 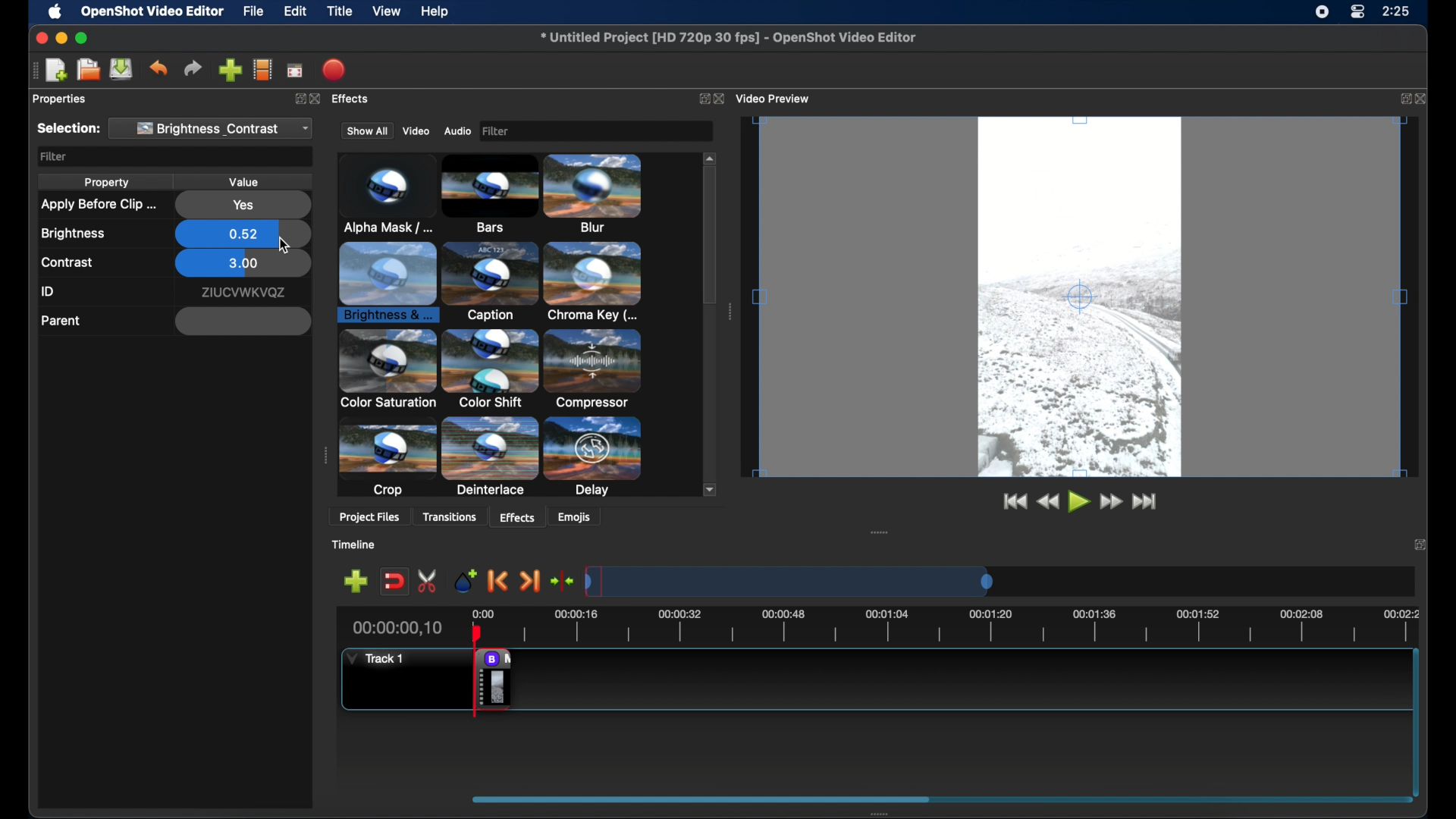 I want to click on minimize, so click(x=62, y=37).